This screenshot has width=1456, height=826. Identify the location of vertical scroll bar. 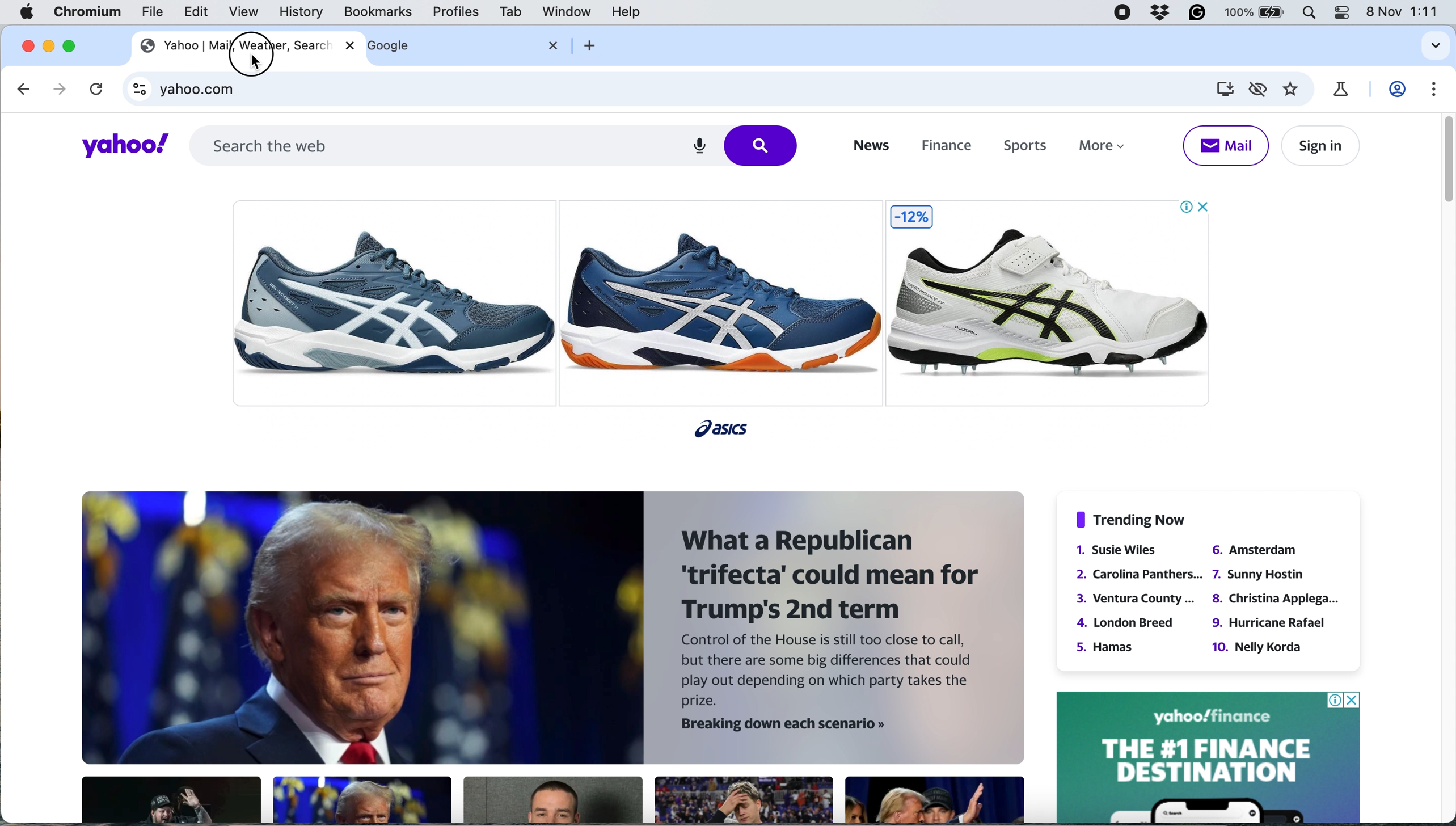
(1442, 160).